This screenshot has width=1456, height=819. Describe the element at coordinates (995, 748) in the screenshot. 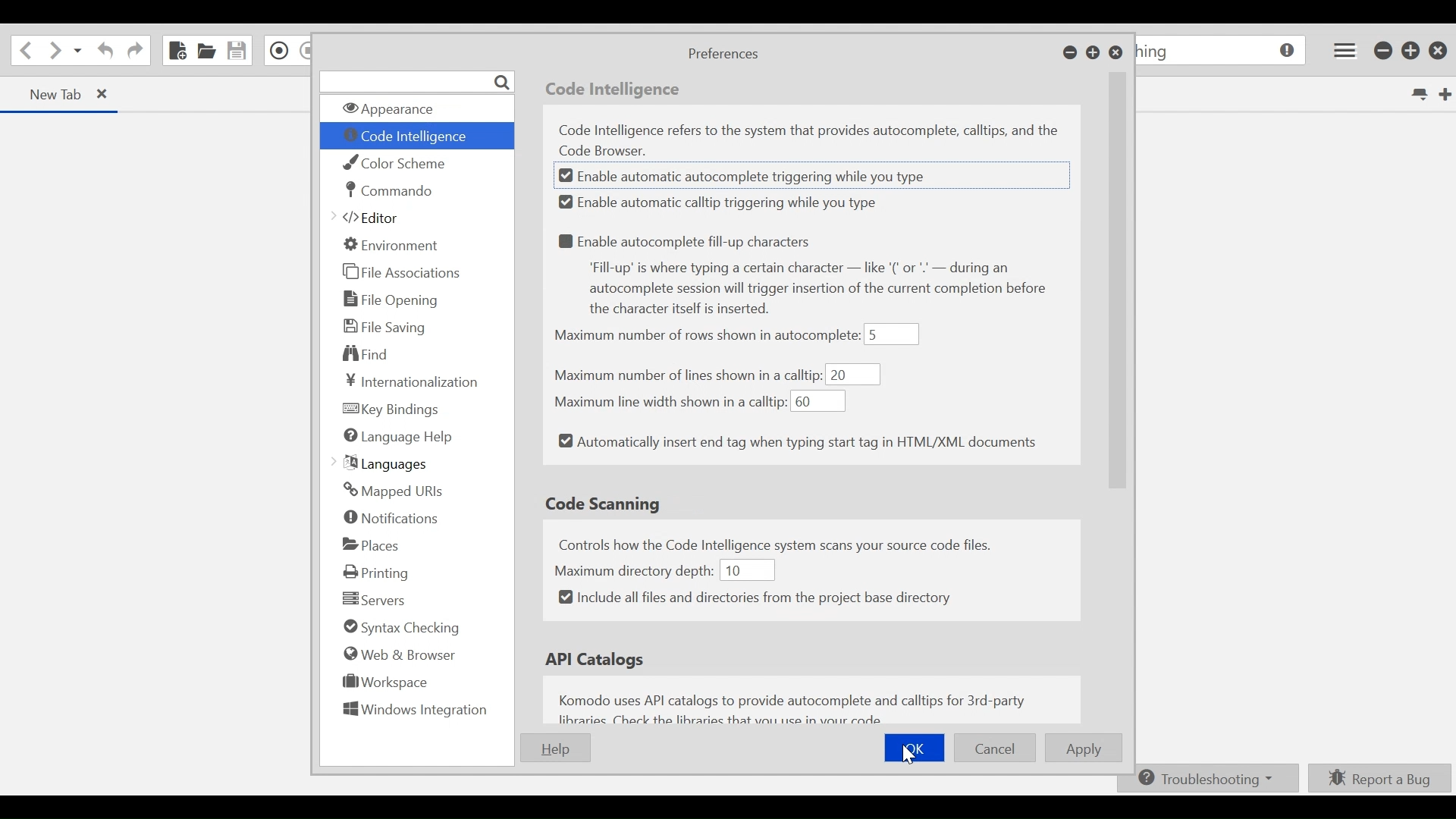

I see `Cancel` at that location.